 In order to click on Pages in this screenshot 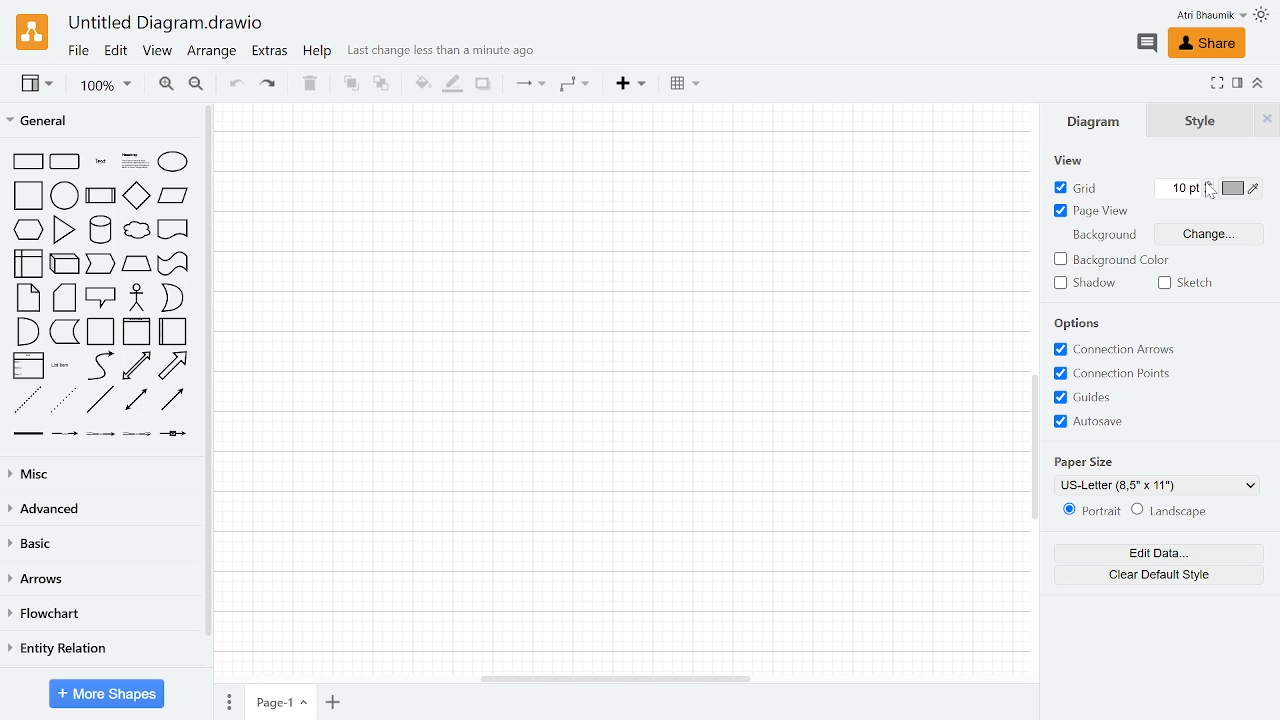, I will do `click(229, 701)`.